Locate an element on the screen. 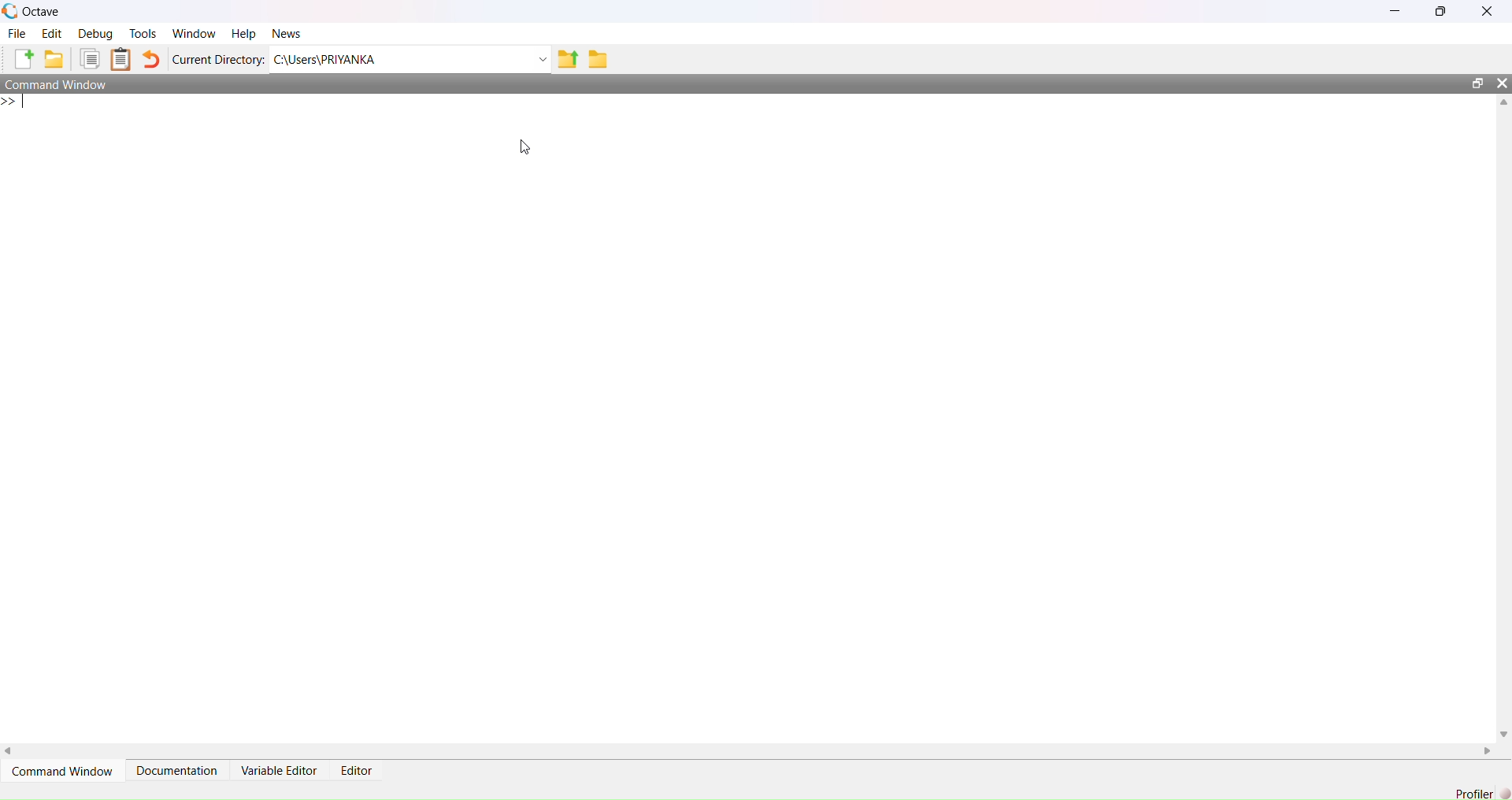  Help is located at coordinates (243, 33).